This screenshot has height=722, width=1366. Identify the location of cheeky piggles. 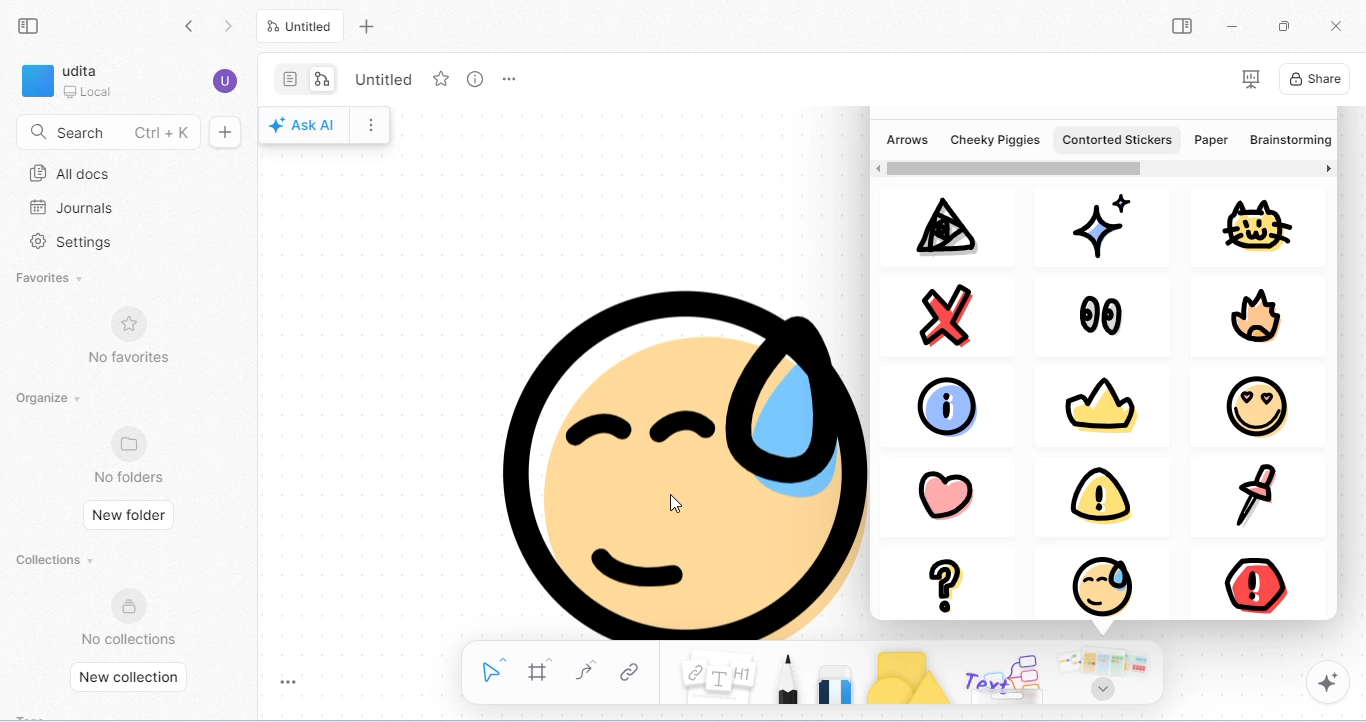
(996, 139).